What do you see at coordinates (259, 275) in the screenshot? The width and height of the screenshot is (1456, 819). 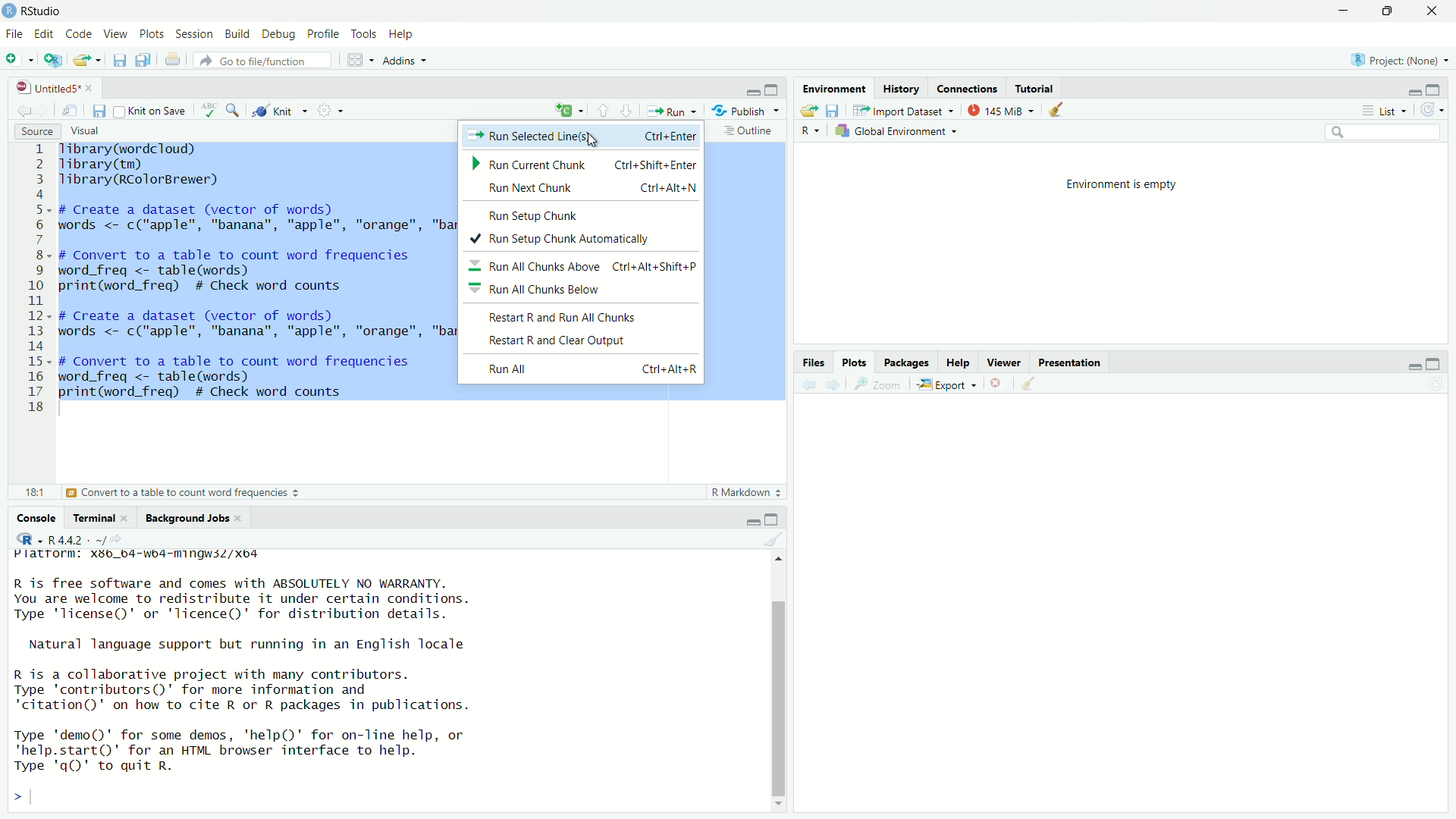 I see `1ibrary(wordcioud)> Tibrary(tm)3 Tlibrary(RColorBrewer)45- # Create a dataset (vector of words)5 words <- c("apple", "banana", "apple", "orange", "banana")F8. # Convert to a table to count word frequencies) word_freq <- table(words)) print(word_freq) # Check word counts IL2- # Create a dataset (vector of words)3 words <- c("apple", "banana", "apple", "orange", "banana")45« # Convert to a table to count word frequencies5 word_freq <- table(words)7 print(word_freq) # Check word counts.` at bounding box center [259, 275].